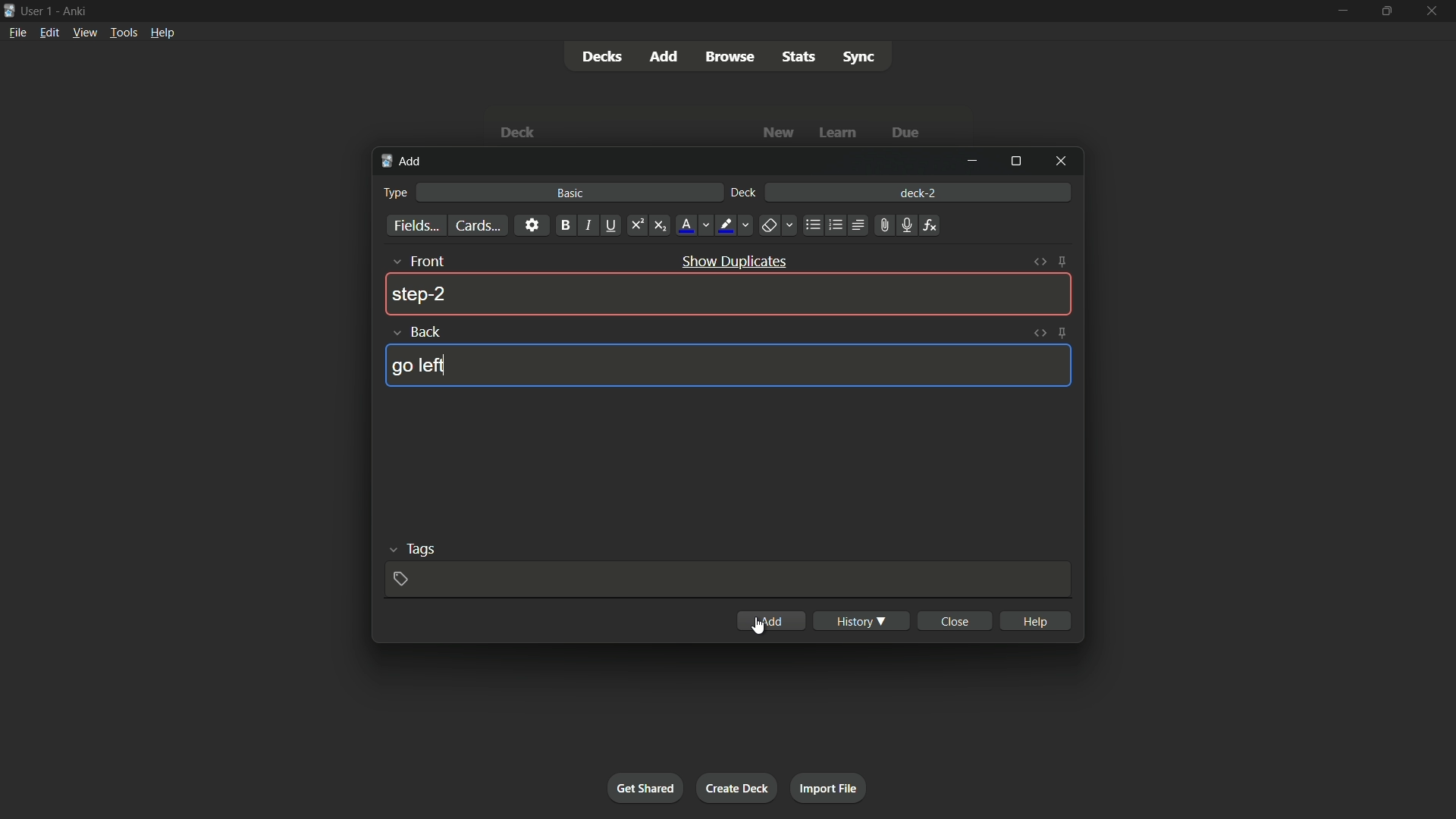 This screenshot has height=819, width=1456. What do you see at coordinates (419, 366) in the screenshot?
I see `go left` at bounding box center [419, 366].